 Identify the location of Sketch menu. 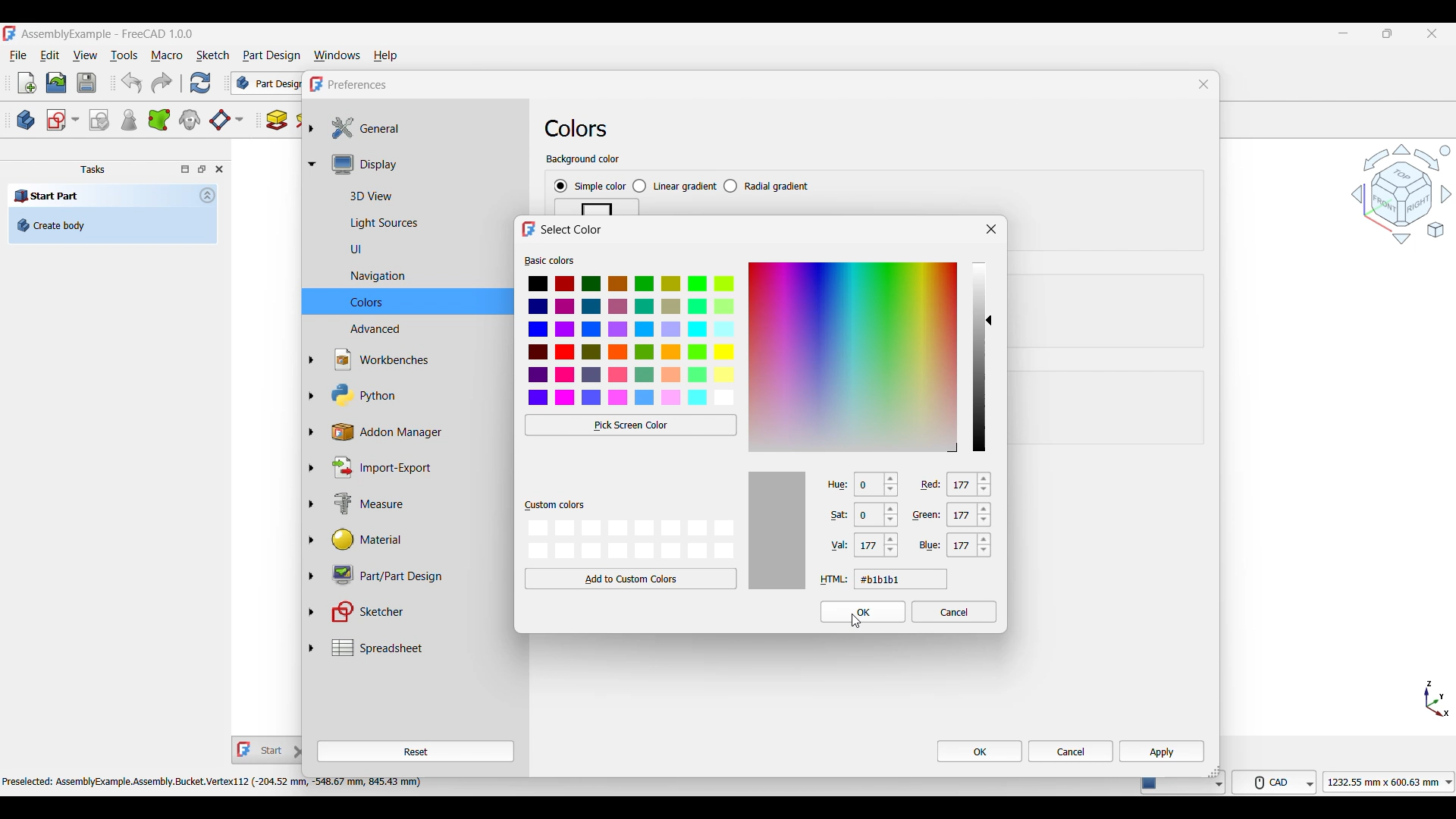
(212, 55).